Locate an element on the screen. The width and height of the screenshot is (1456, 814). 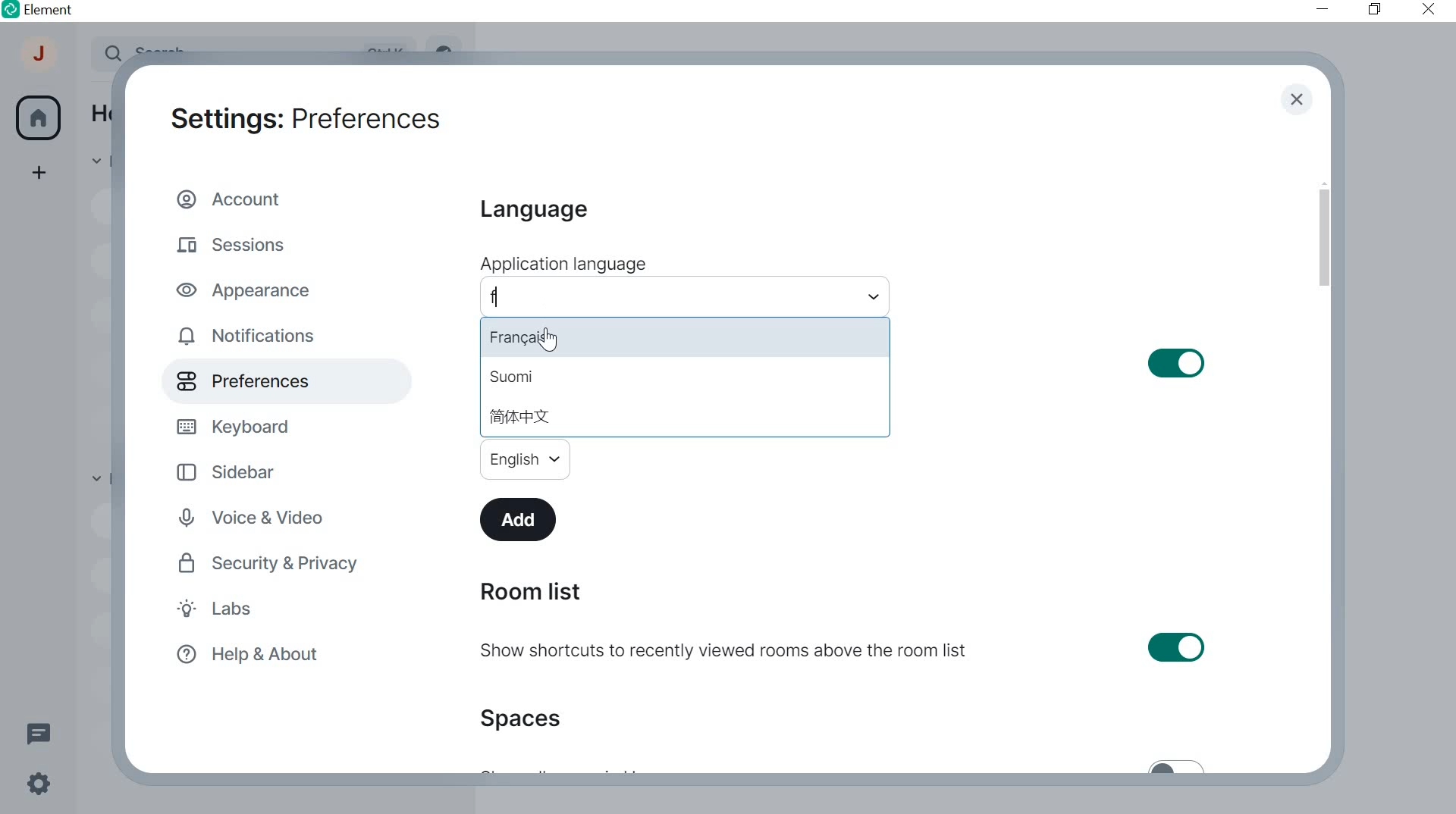
THREADS is located at coordinates (38, 731).